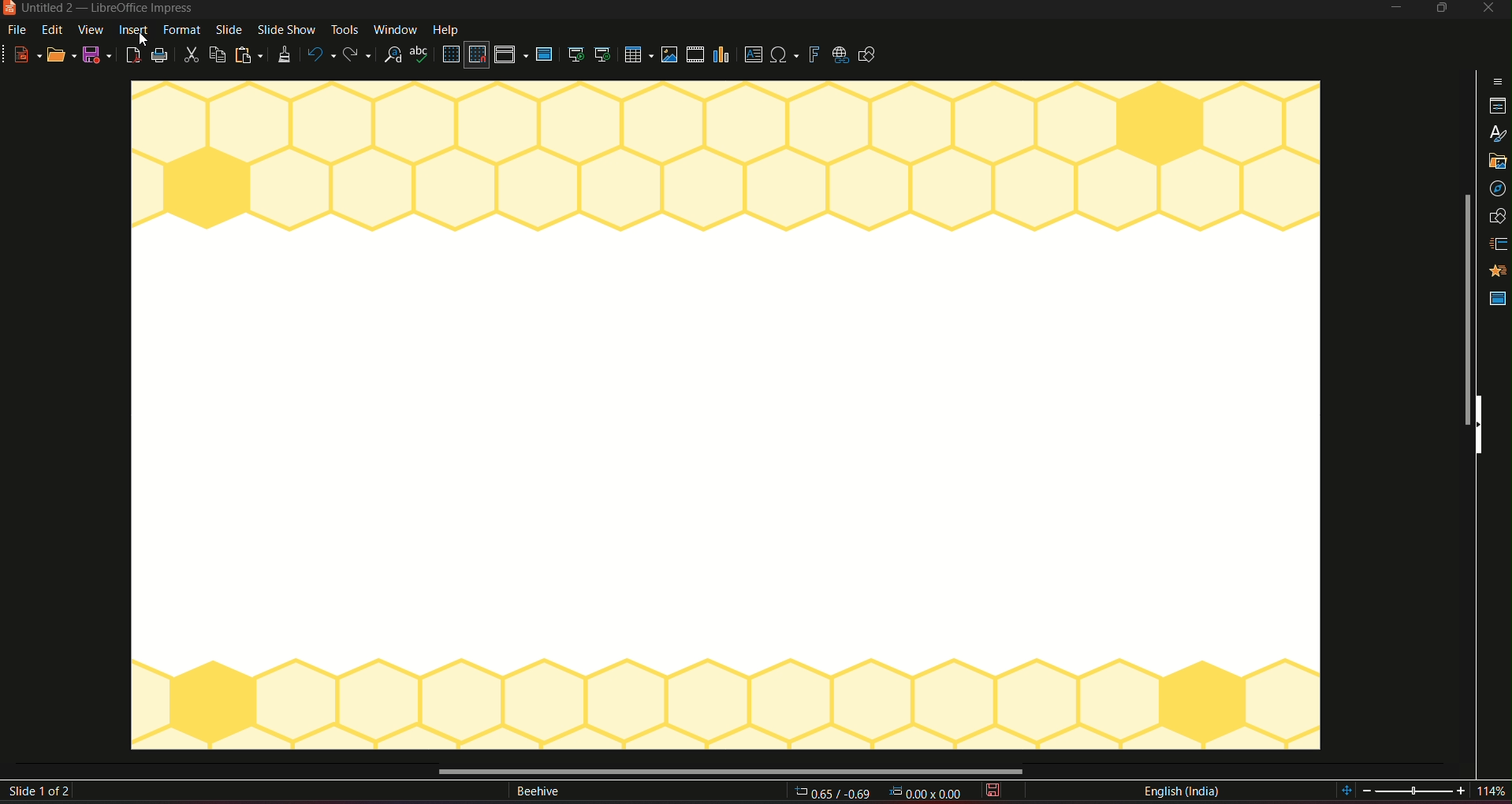 Image resolution: width=1512 pixels, height=804 pixels. Describe the element at coordinates (1463, 311) in the screenshot. I see `vertical scrollbar` at that location.